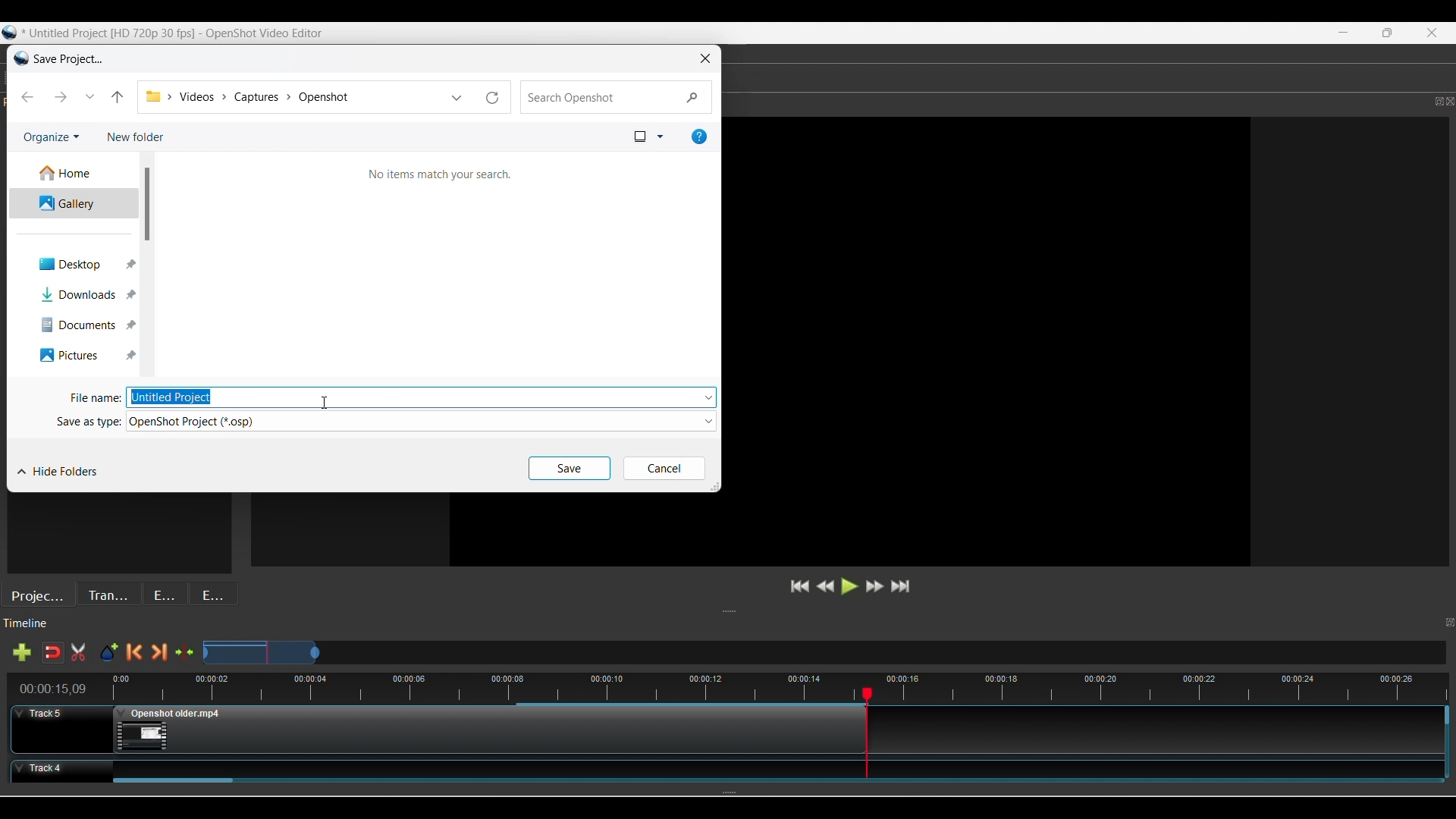 The height and width of the screenshot is (819, 1456). What do you see at coordinates (709, 398) in the screenshot?
I see `File options` at bounding box center [709, 398].